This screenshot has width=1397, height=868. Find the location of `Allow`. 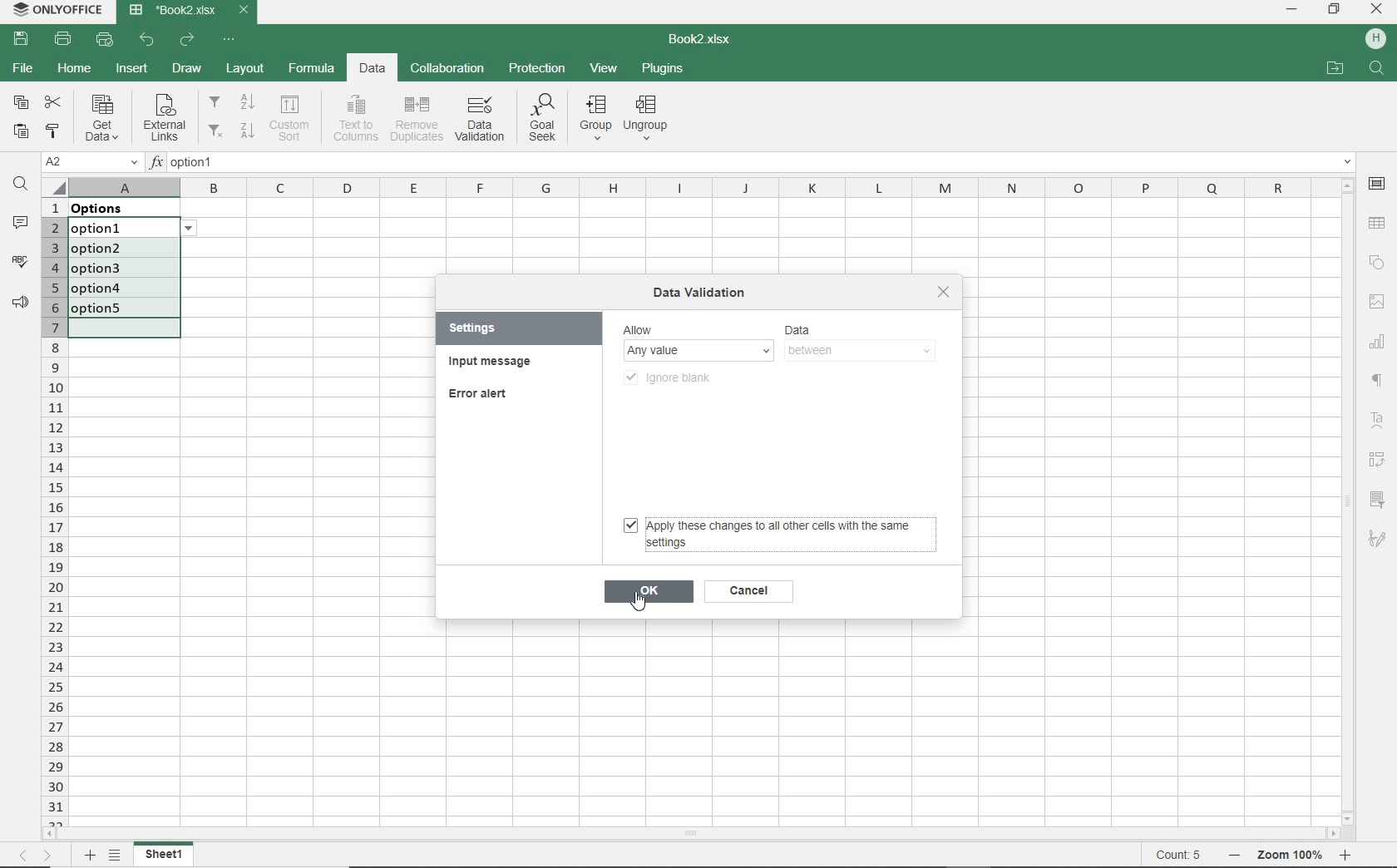

Allow is located at coordinates (696, 328).